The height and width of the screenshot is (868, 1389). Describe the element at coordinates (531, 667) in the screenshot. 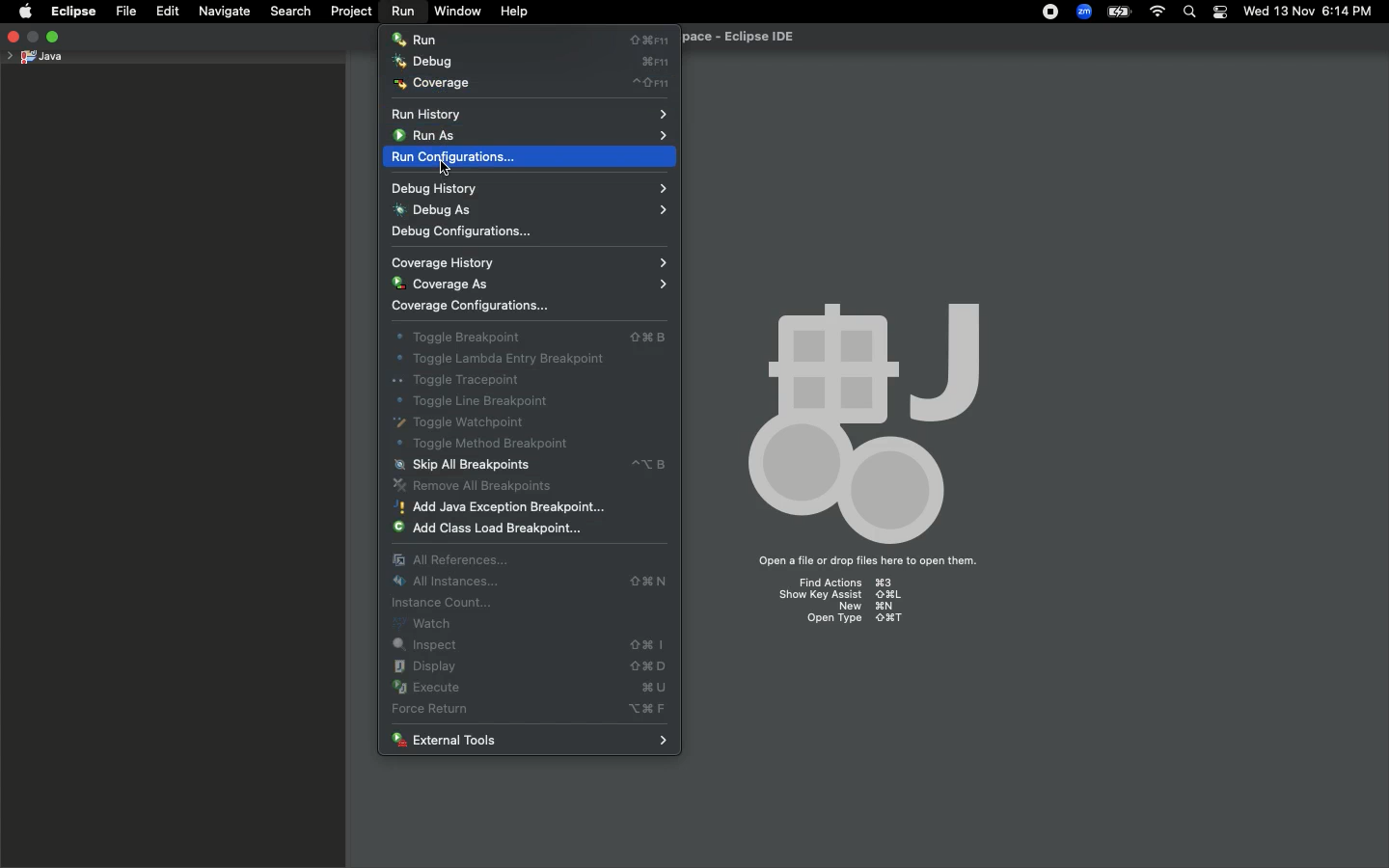

I see `Display` at that location.